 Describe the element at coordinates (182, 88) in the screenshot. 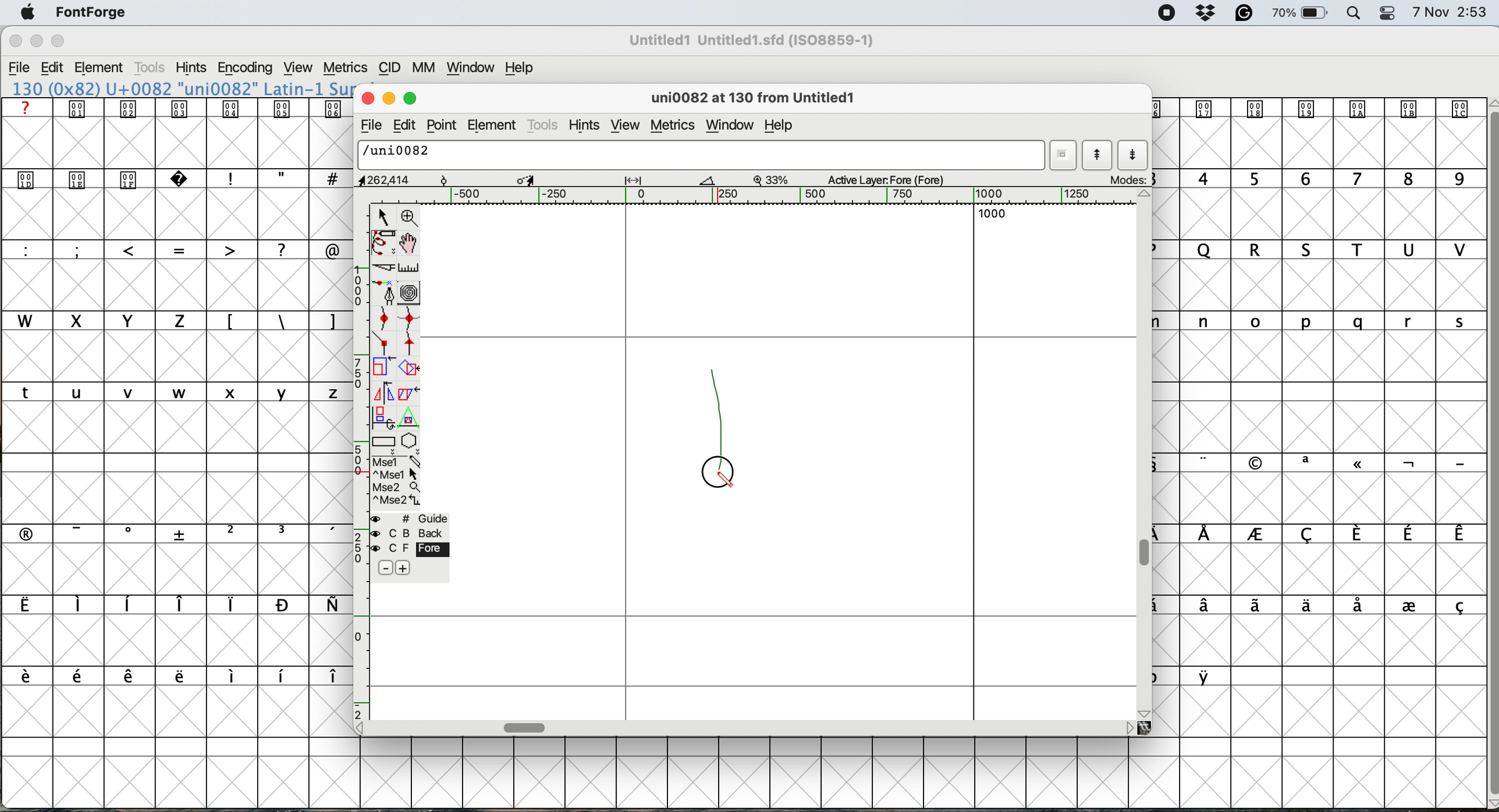

I see `130 (0x82) U+0082 "uni0082" Latin-1 Su` at that location.